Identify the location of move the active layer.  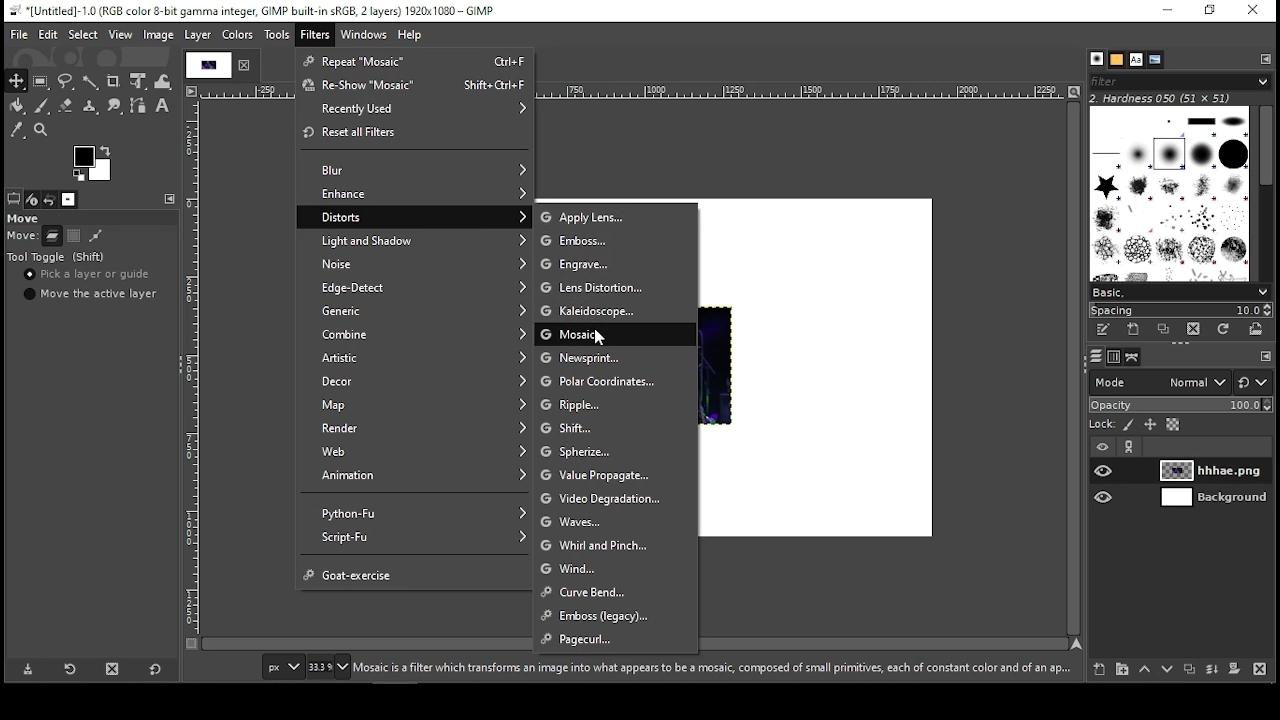
(91, 294).